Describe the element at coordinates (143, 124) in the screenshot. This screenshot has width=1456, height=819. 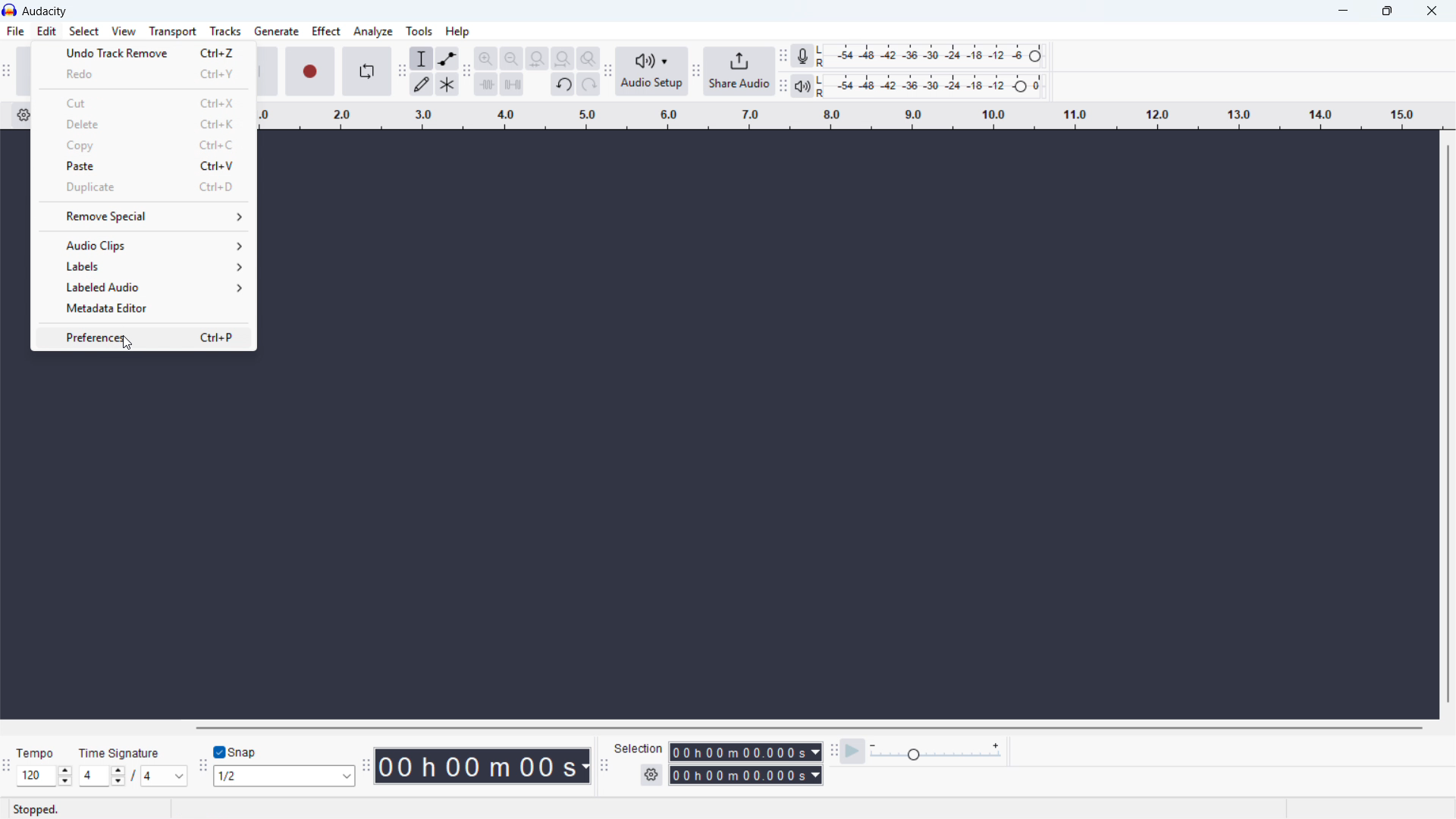
I see `delete` at that location.